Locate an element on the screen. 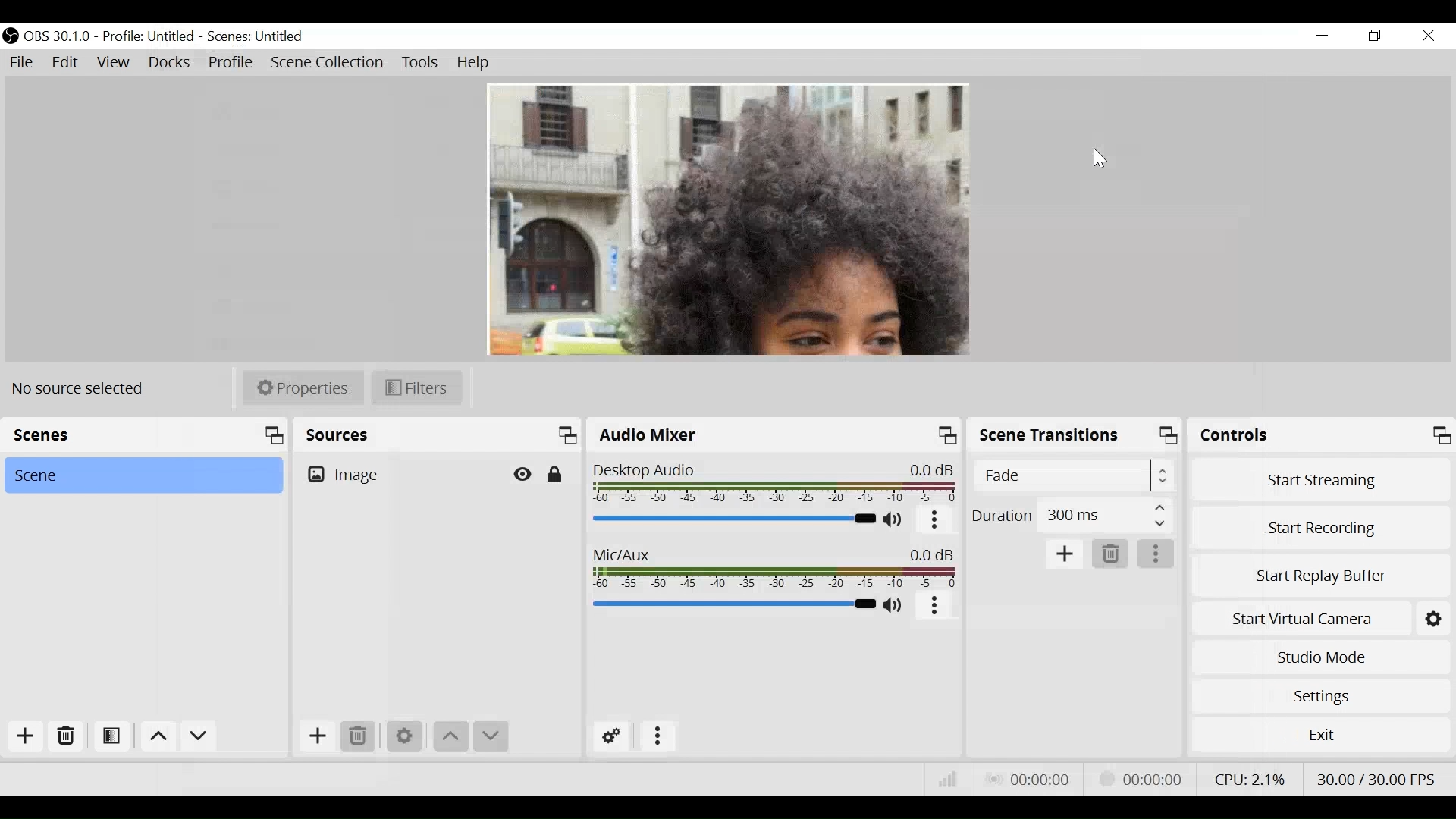 Image resolution: width=1456 pixels, height=819 pixels. delete is located at coordinates (1111, 554).